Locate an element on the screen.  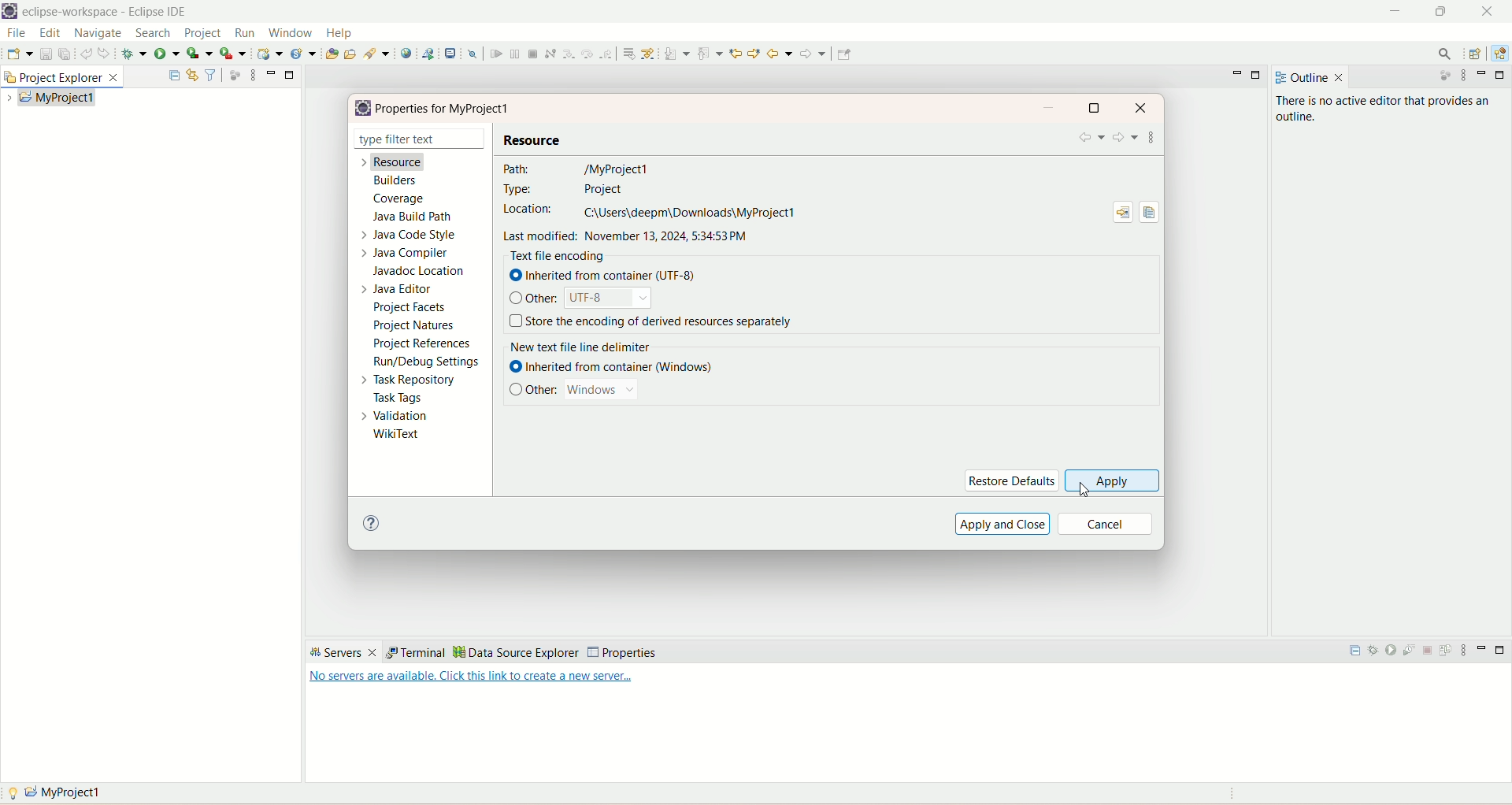
servers is located at coordinates (343, 653).